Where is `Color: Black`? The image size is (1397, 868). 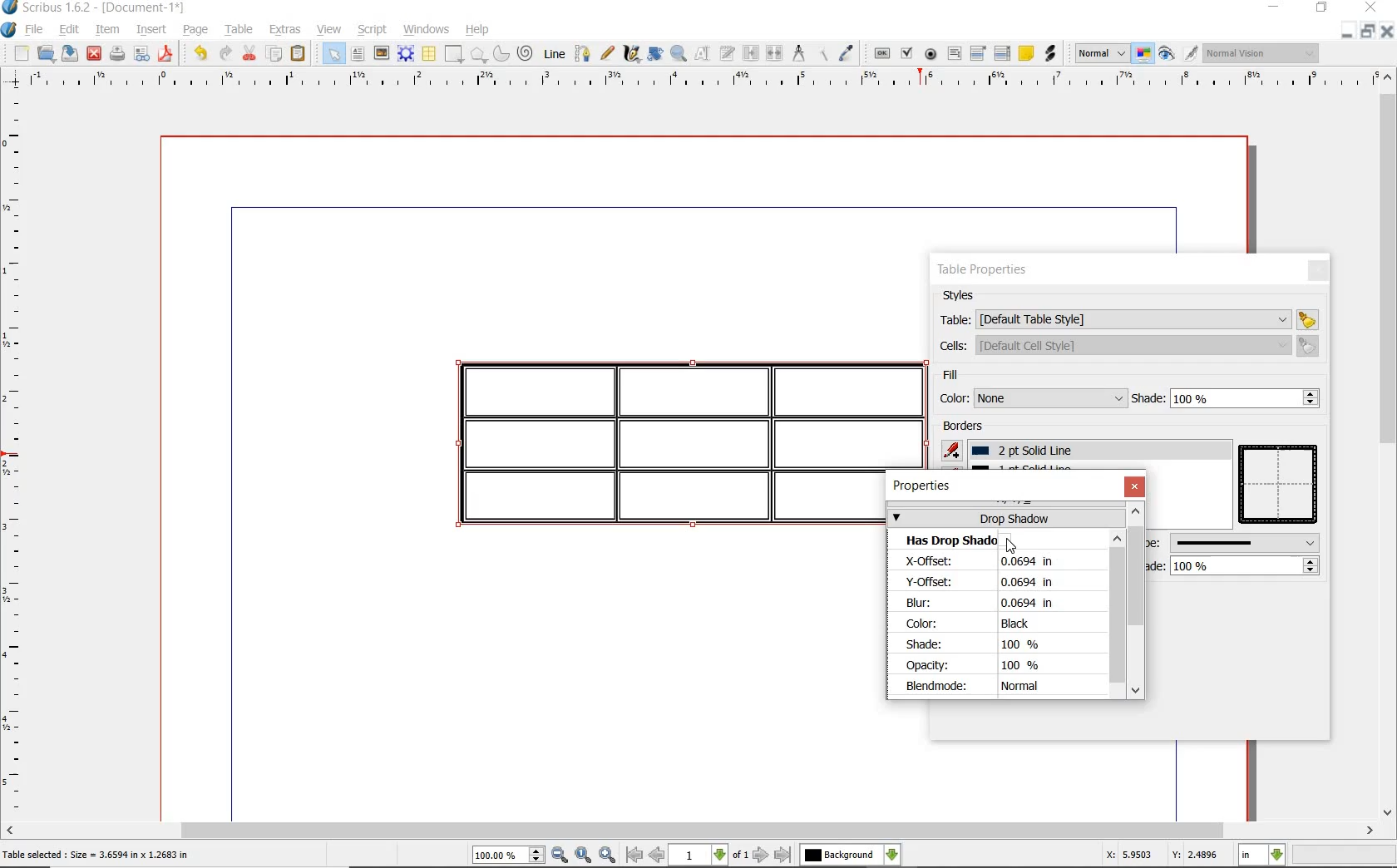 Color: Black is located at coordinates (985, 624).